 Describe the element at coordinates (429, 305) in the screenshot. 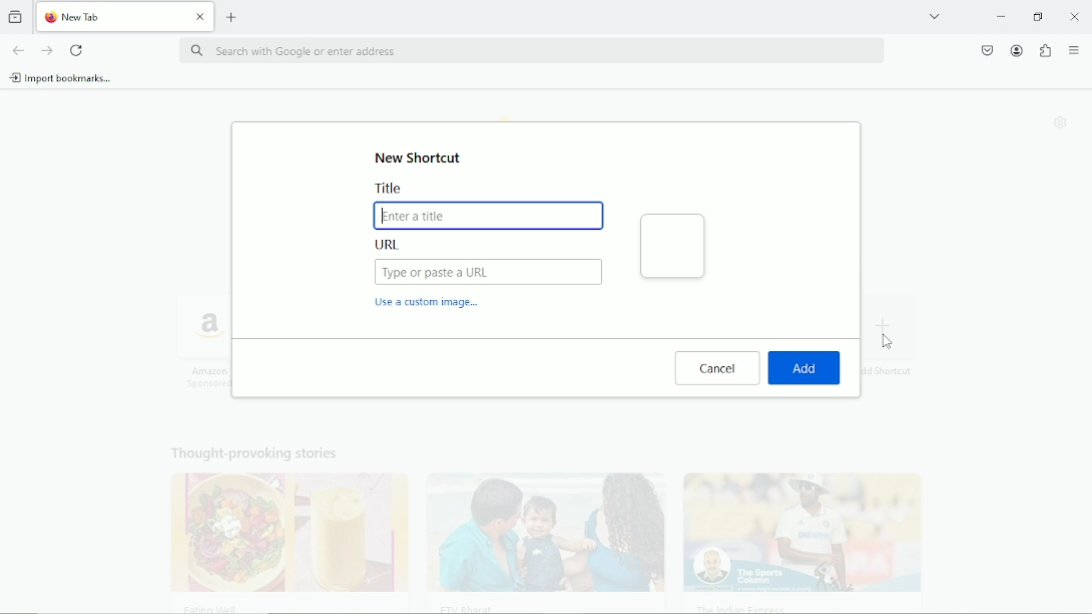

I see `Use a custom image` at that location.